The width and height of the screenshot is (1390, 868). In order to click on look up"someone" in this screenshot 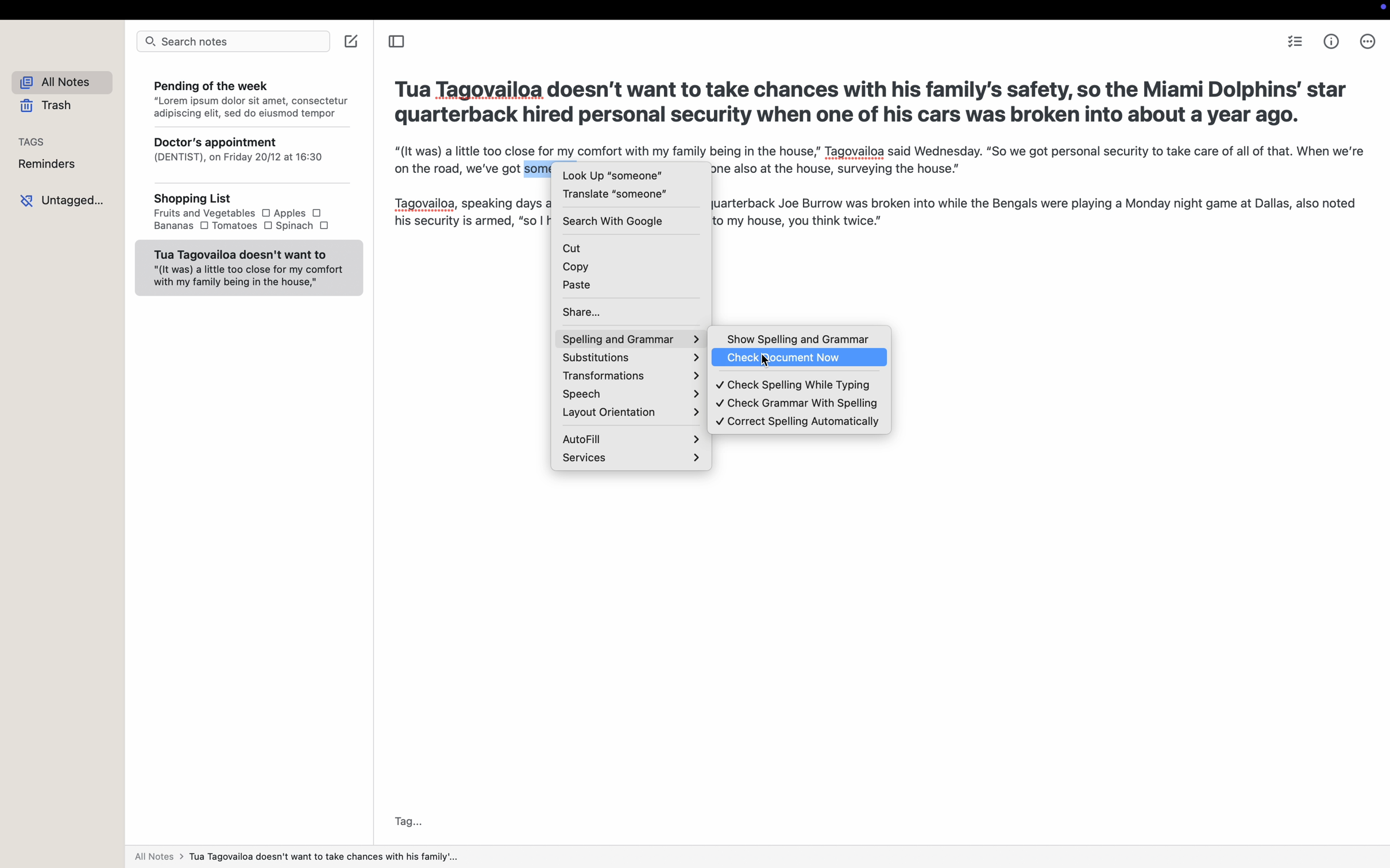, I will do `click(612, 175)`.